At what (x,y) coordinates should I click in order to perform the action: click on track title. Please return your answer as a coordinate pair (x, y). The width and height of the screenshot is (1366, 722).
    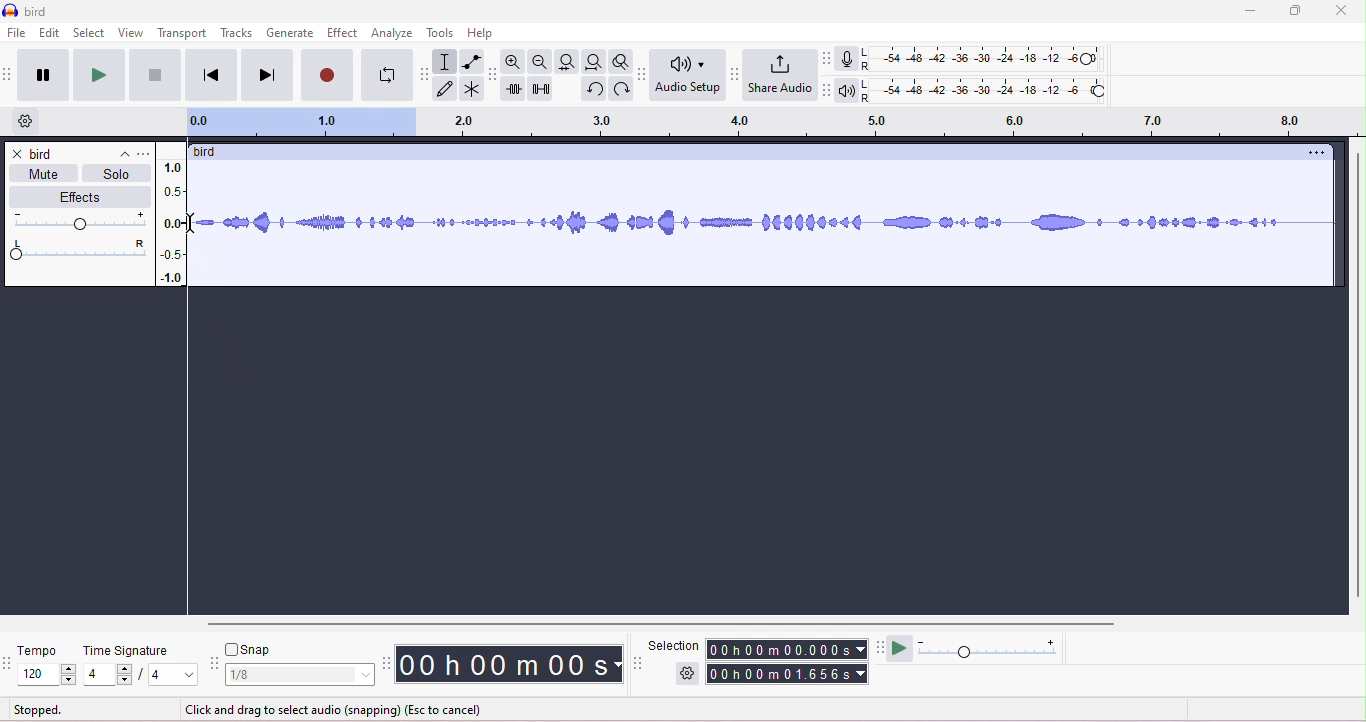
    Looking at the image, I should click on (146, 153).